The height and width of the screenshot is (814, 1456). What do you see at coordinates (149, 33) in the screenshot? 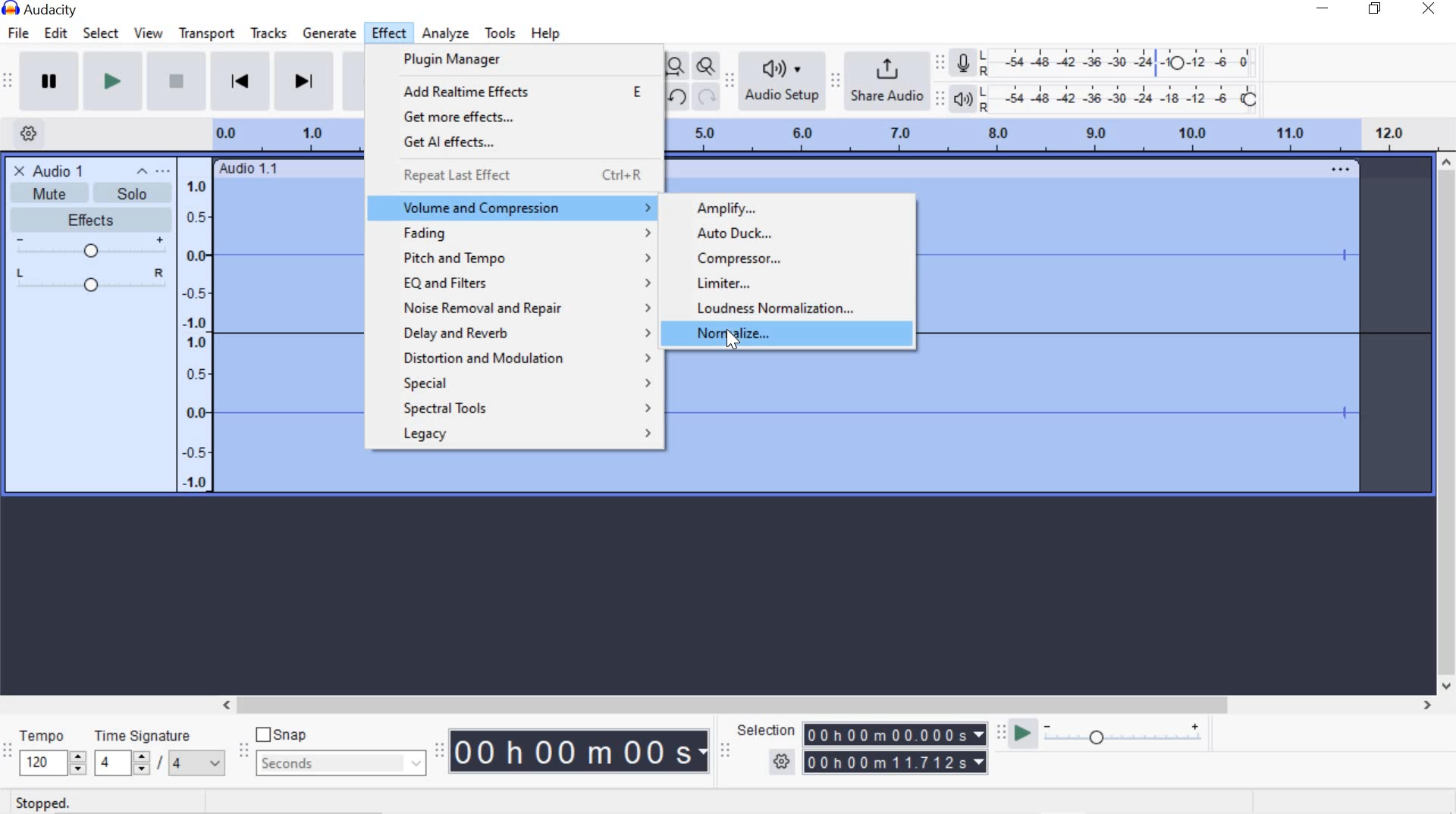
I see `view` at bounding box center [149, 33].